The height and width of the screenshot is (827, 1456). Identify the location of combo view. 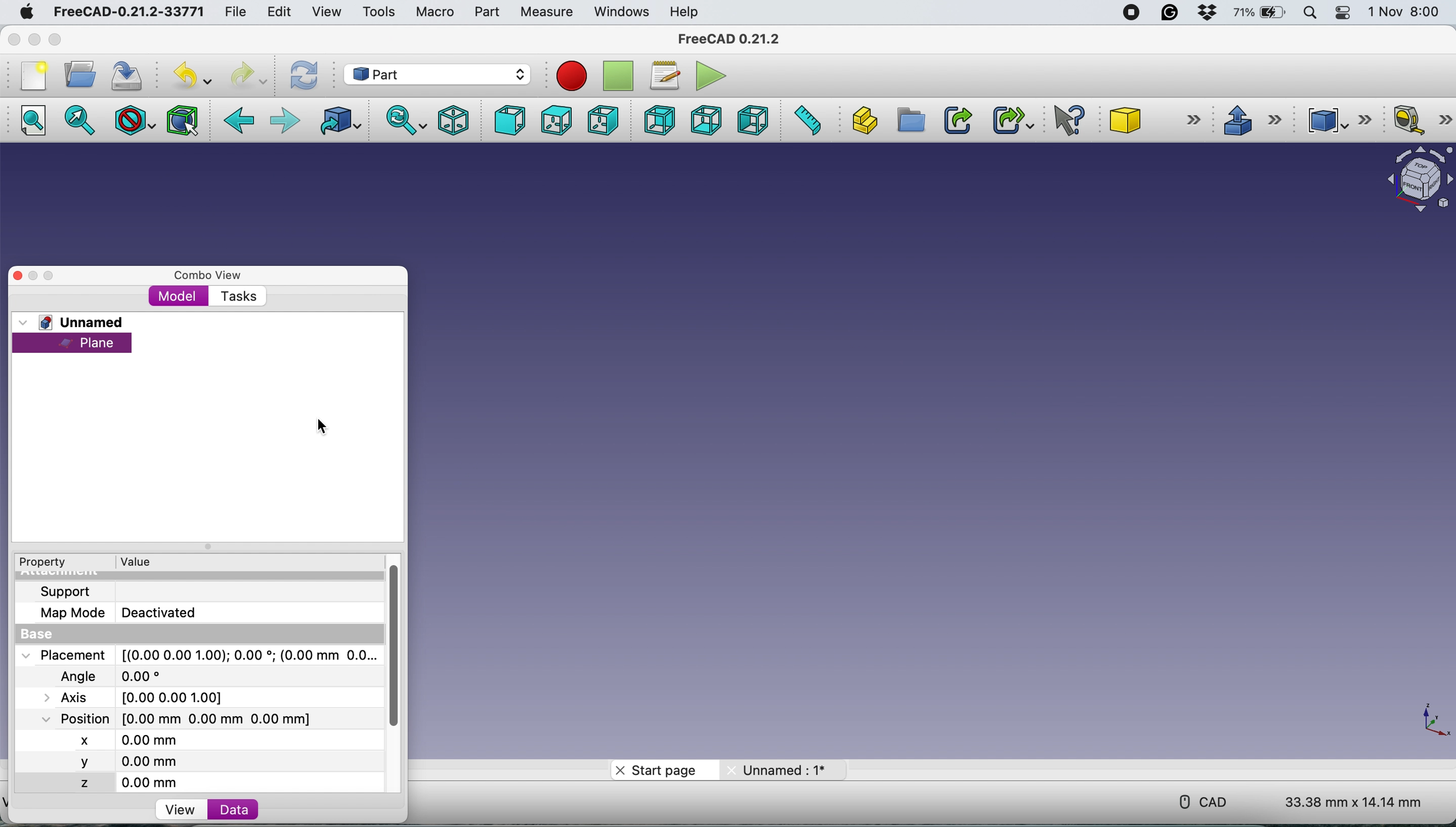
(213, 276).